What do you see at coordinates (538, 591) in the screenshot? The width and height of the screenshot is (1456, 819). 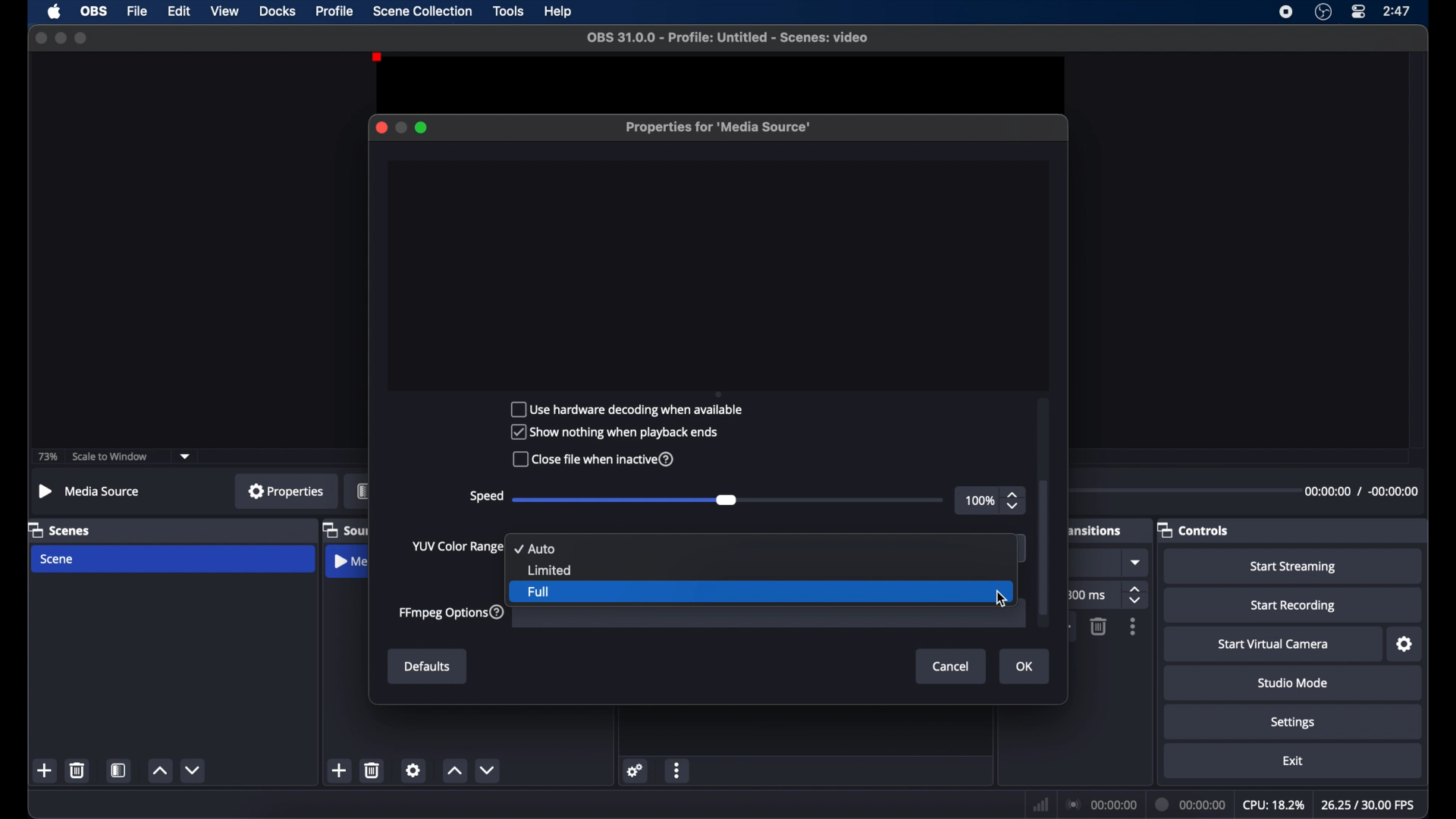 I see `full` at bounding box center [538, 591].